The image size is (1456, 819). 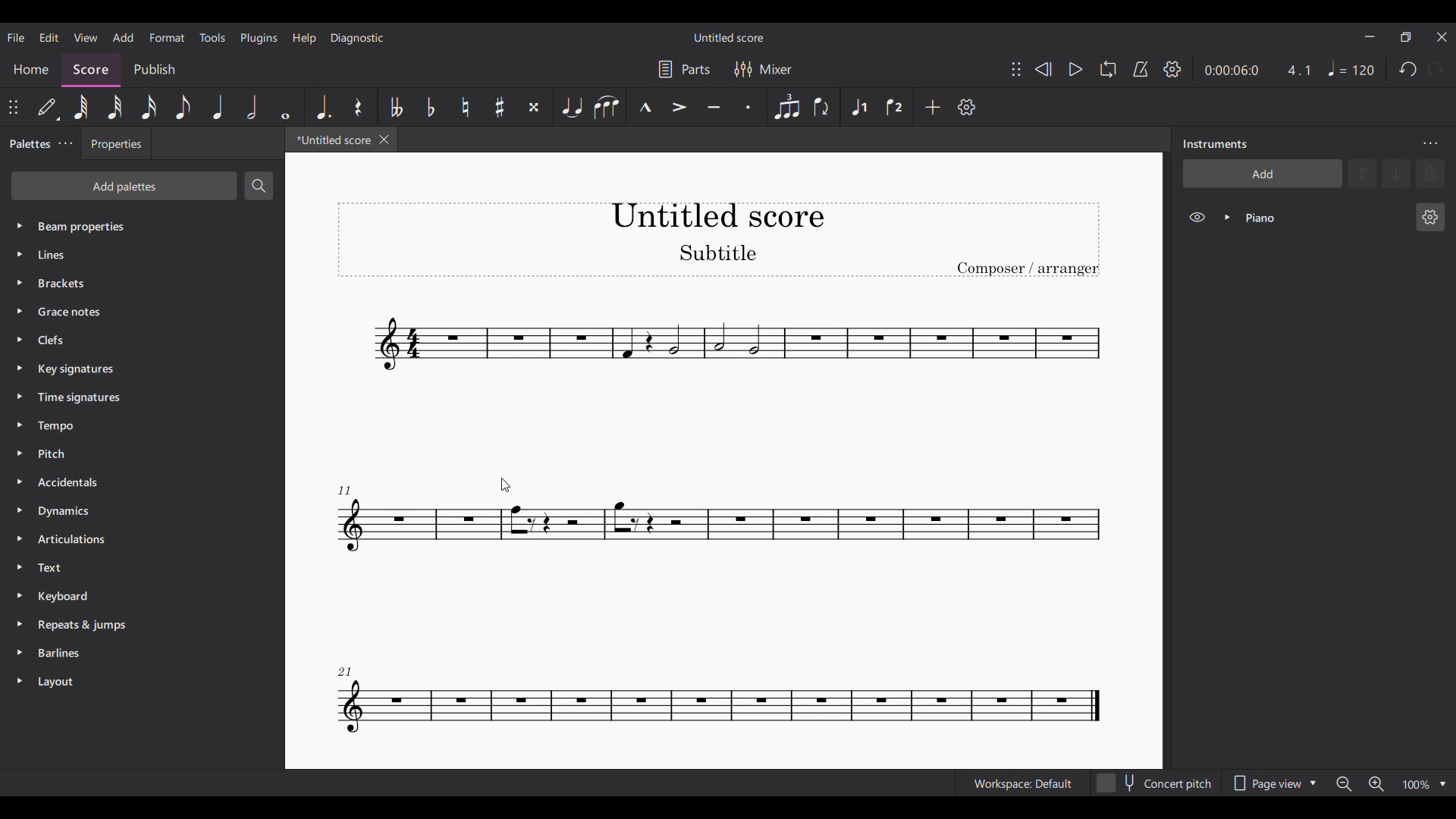 What do you see at coordinates (1431, 217) in the screenshot?
I see `Instrument settings` at bounding box center [1431, 217].